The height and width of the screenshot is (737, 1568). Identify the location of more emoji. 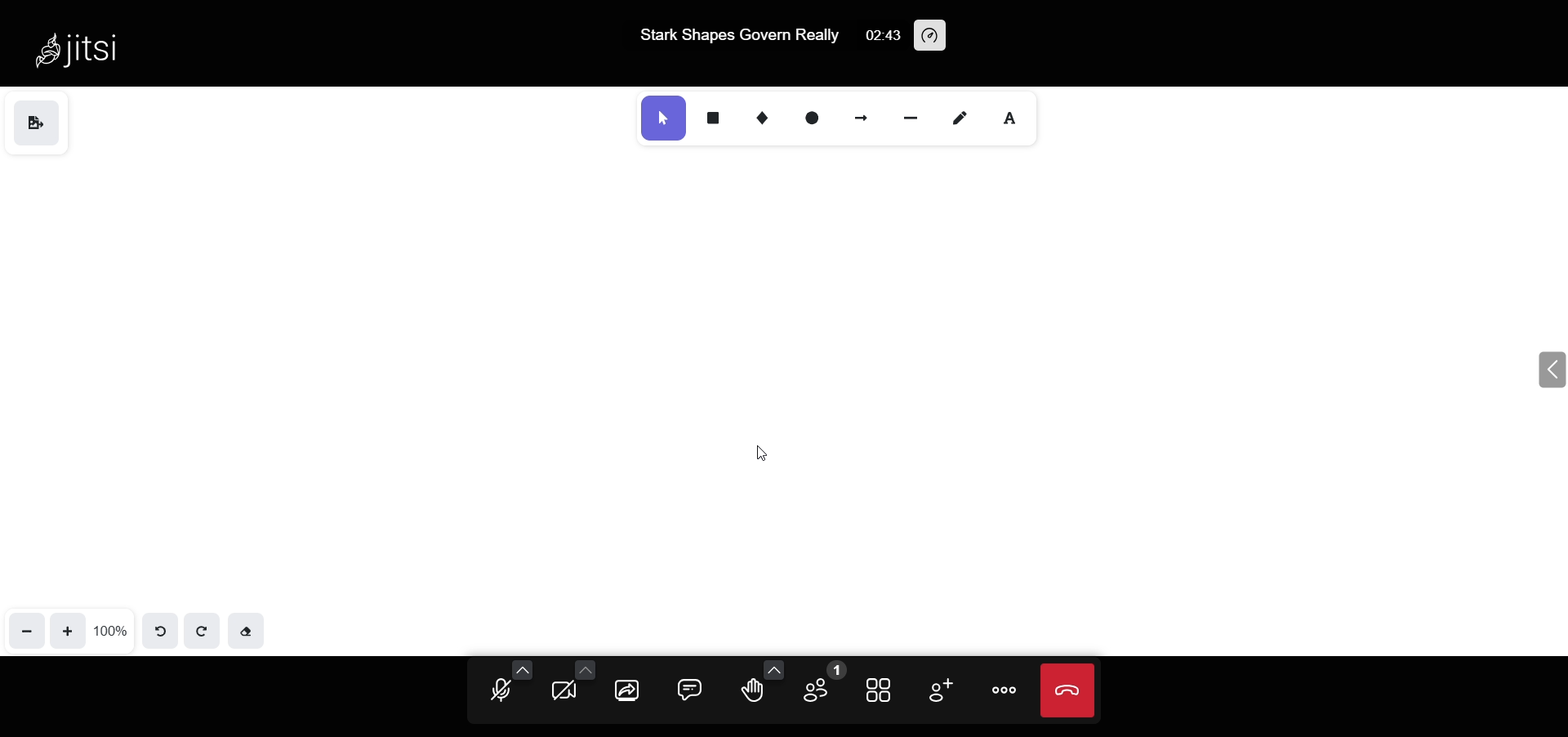
(771, 669).